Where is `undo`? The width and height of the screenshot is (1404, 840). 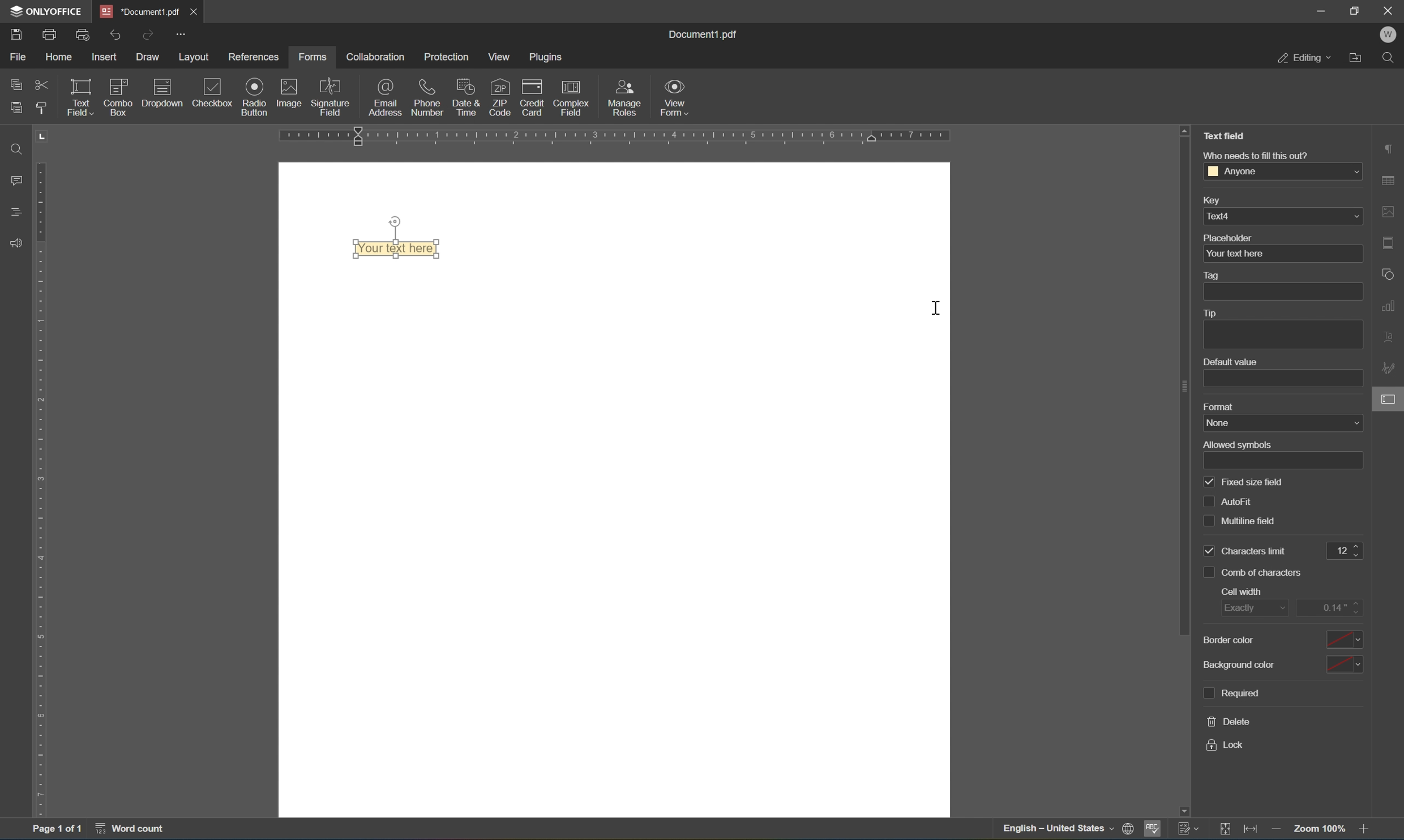
undo is located at coordinates (112, 35).